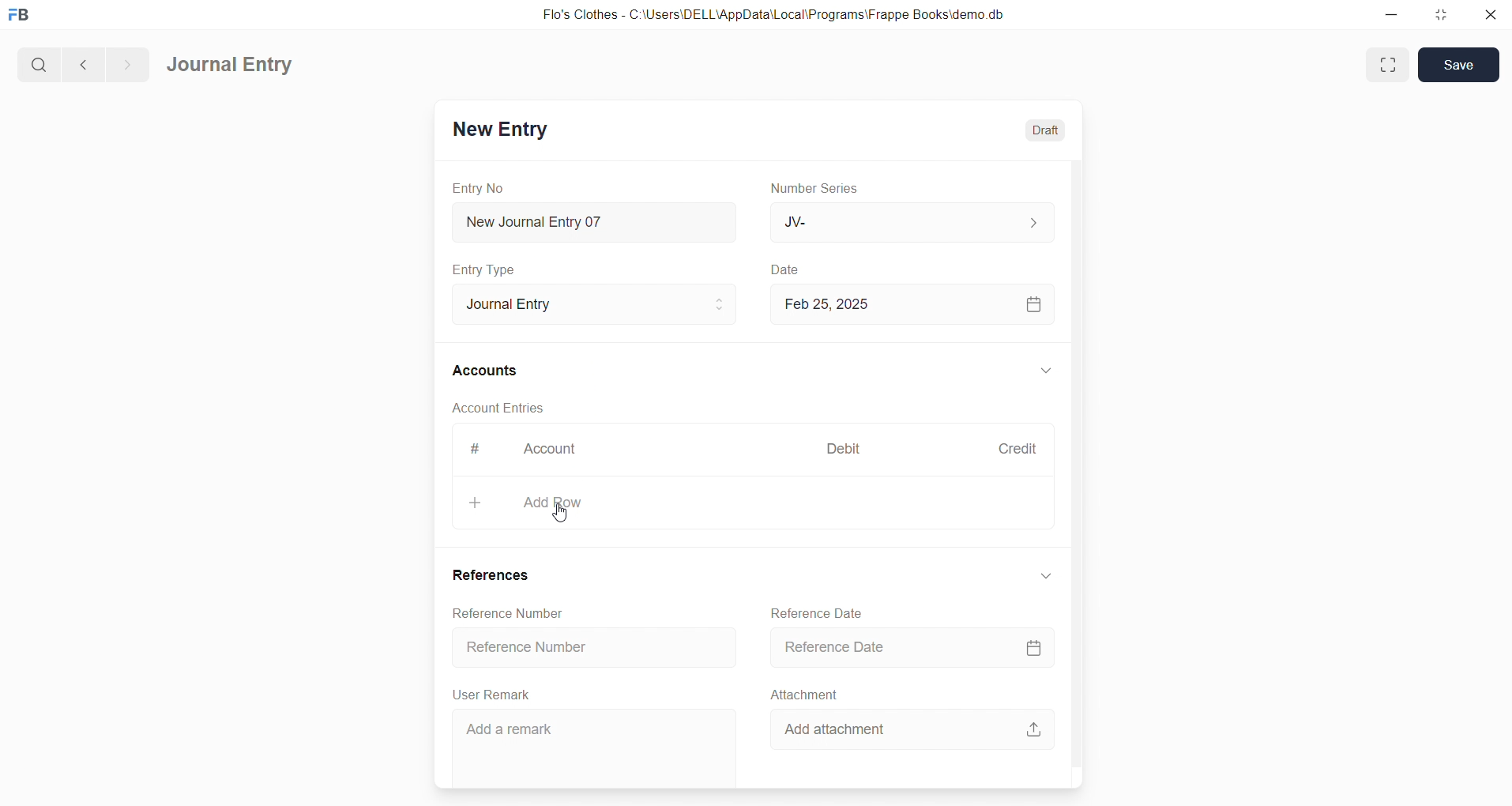 Image resolution: width=1512 pixels, height=806 pixels. Describe the element at coordinates (495, 577) in the screenshot. I see `References` at that location.